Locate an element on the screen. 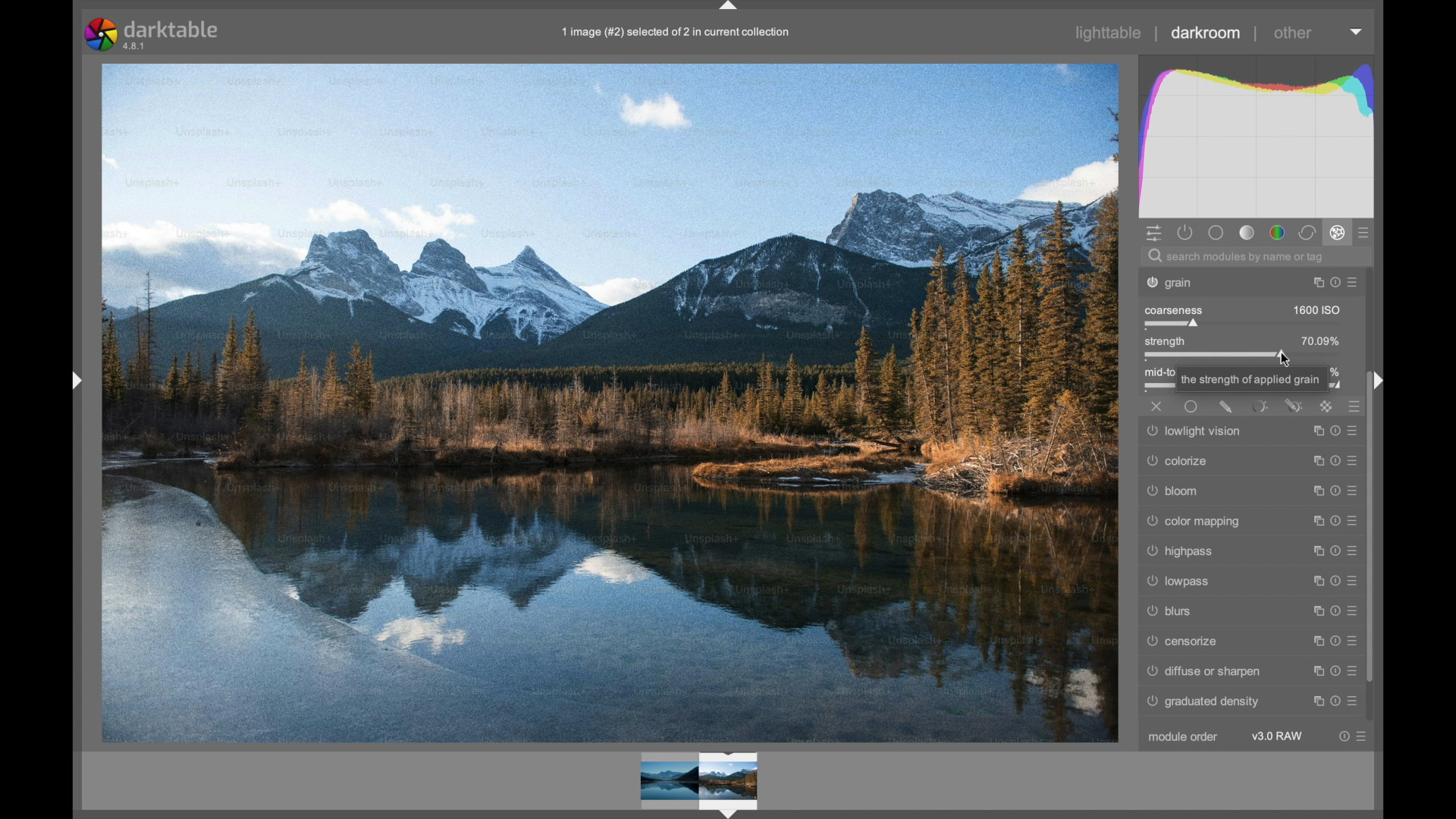 The height and width of the screenshot is (819, 1456). slider is located at coordinates (1217, 356).